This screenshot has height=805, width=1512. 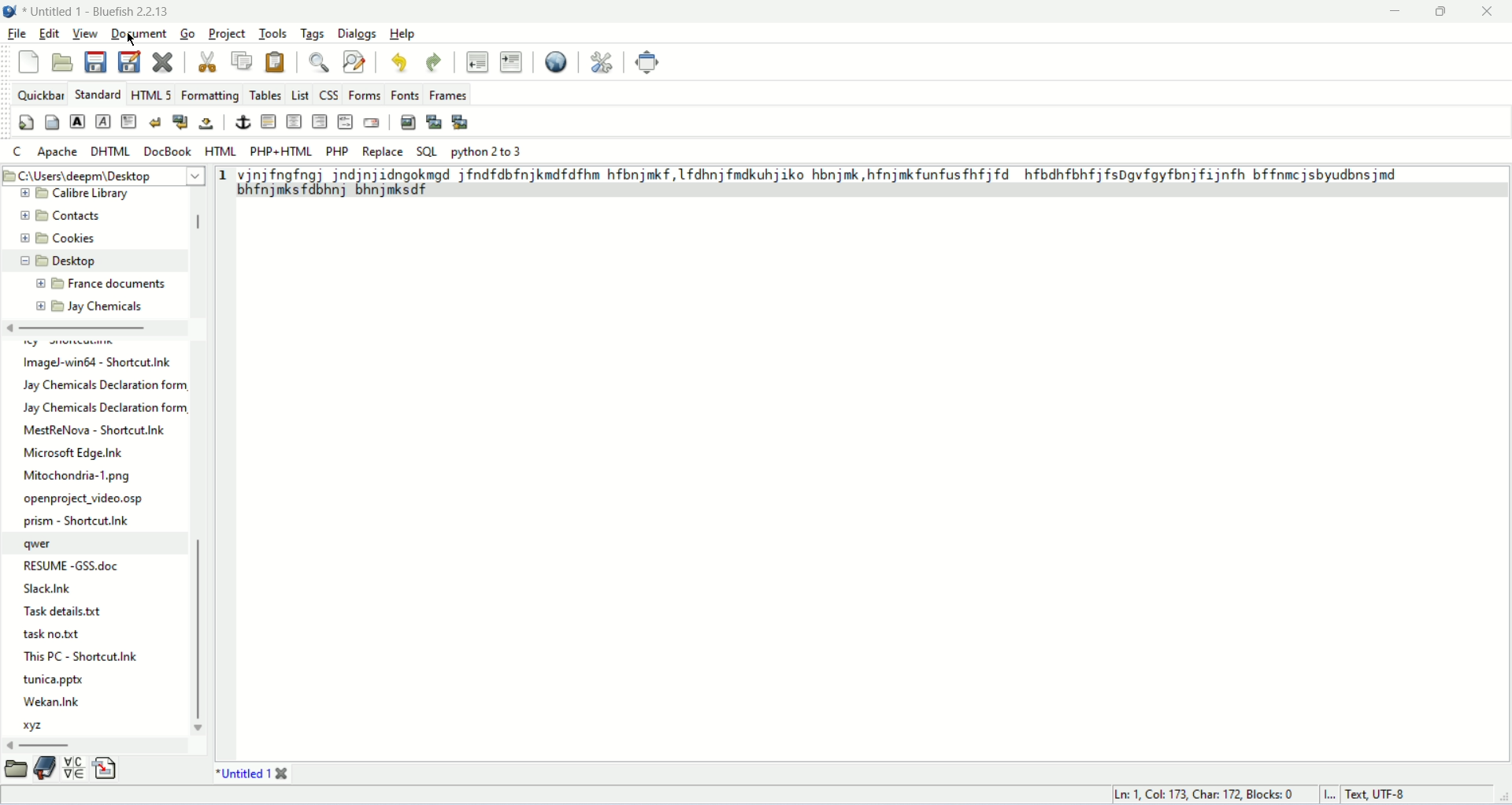 What do you see at coordinates (197, 224) in the screenshot?
I see `vertical scroll bar` at bounding box center [197, 224].